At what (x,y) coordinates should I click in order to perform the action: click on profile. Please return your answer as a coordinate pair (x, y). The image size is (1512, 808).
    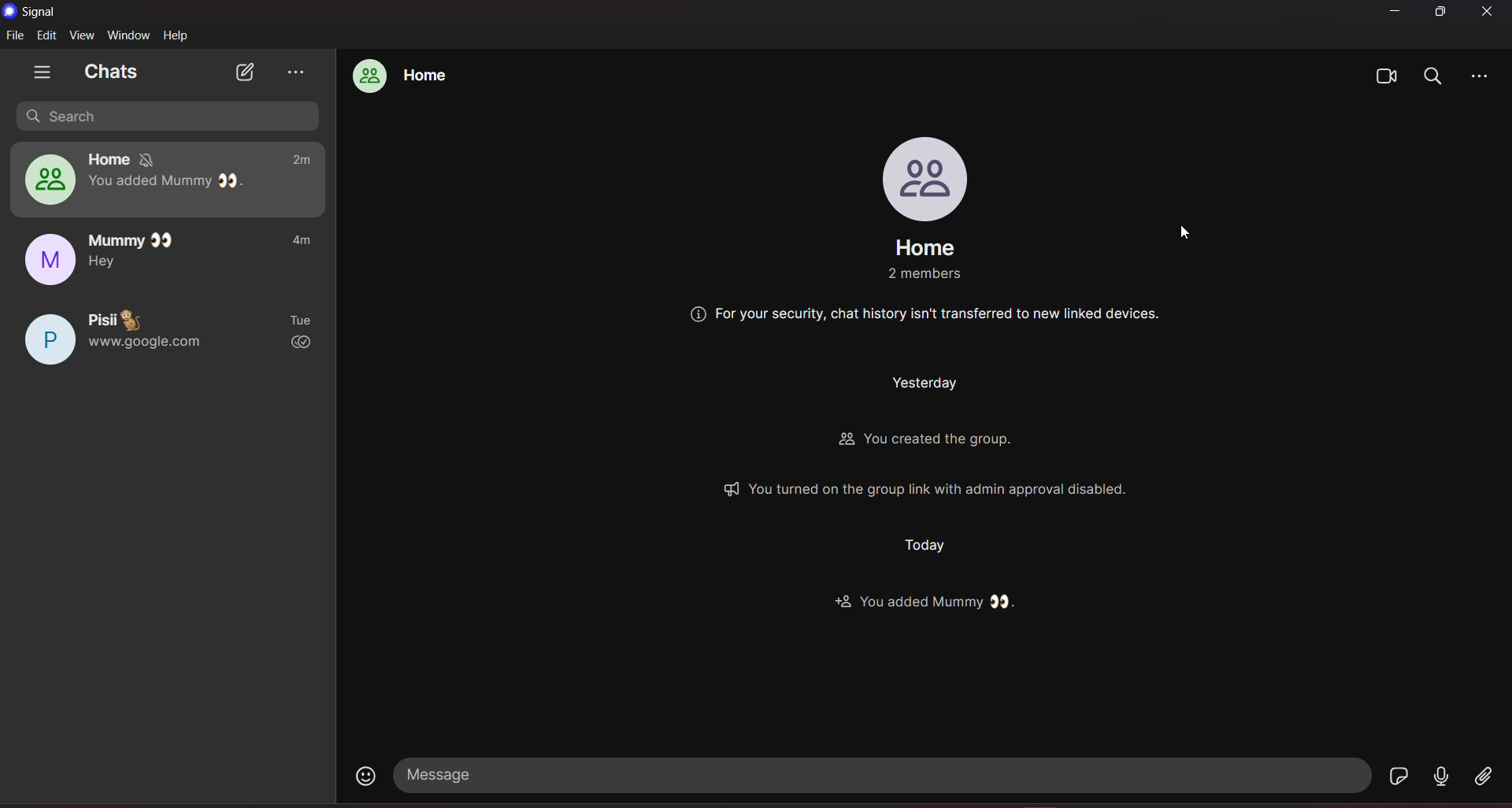
    Looking at the image, I should click on (923, 176).